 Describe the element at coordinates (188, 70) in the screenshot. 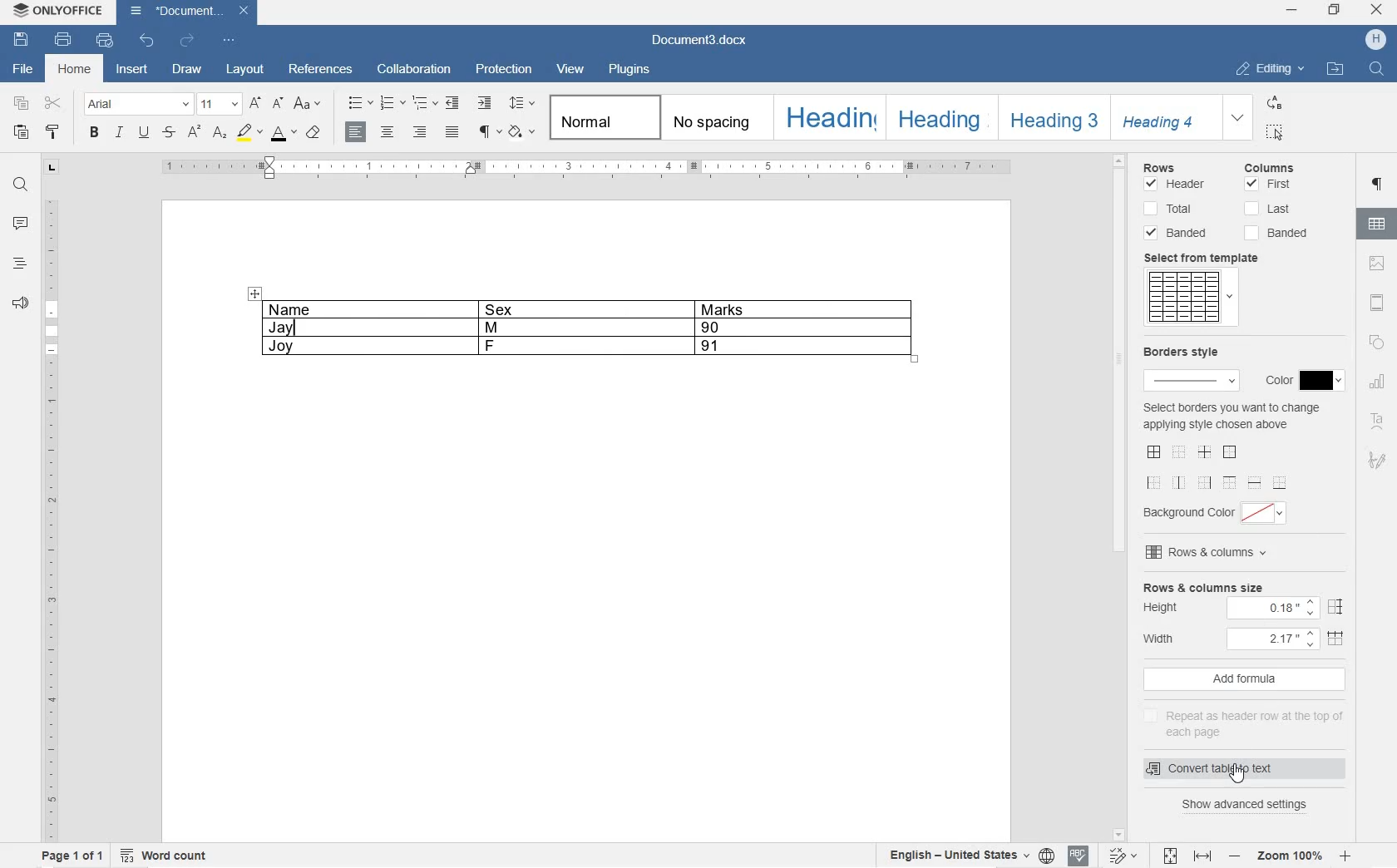

I see `DRAW` at that location.